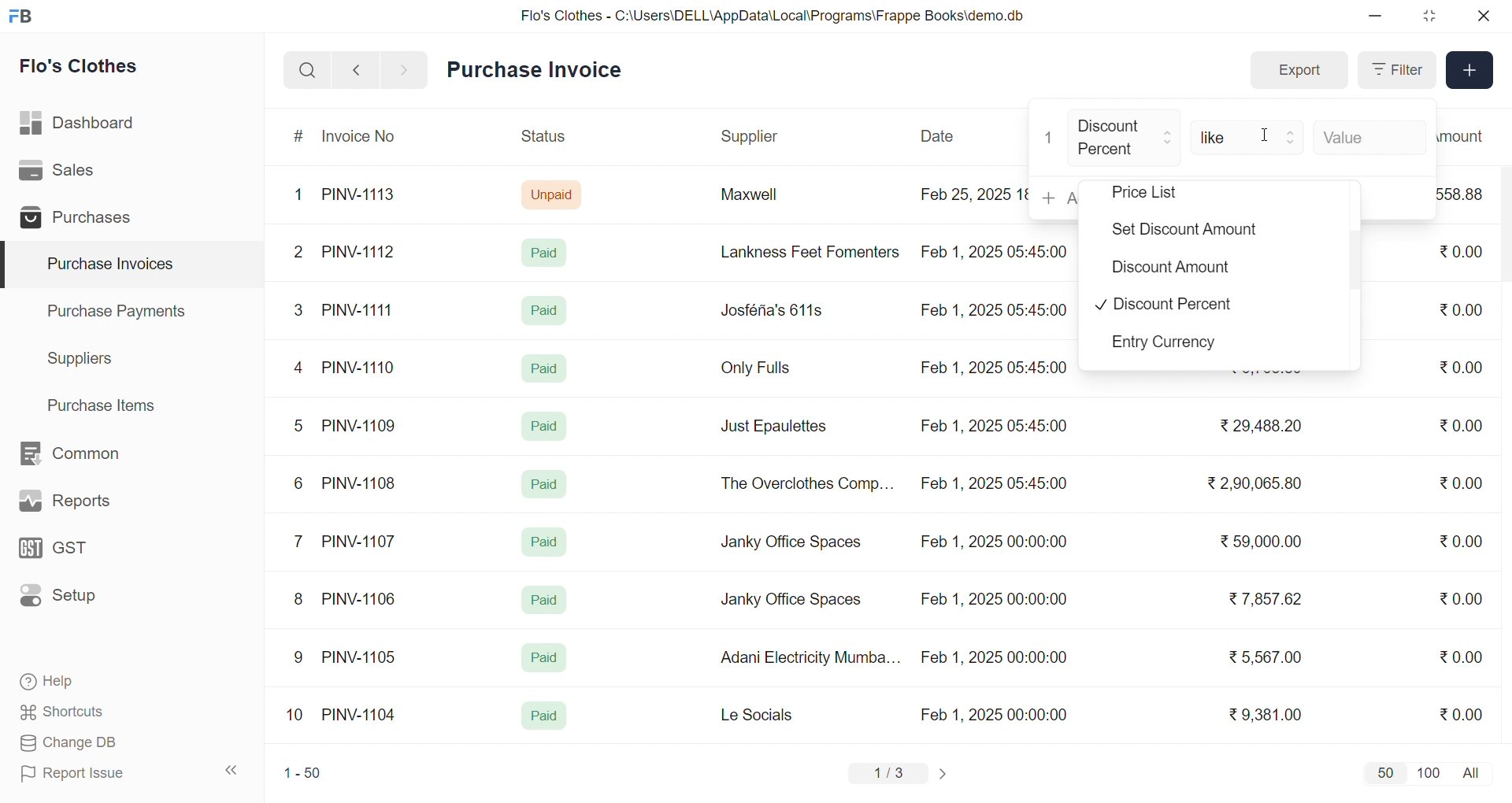 The height and width of the screenshot is (803, 1512). What do you see at coordinates (767, 200) in the screenshot?
I see `Maxwell` at bounding box center [767, 200].